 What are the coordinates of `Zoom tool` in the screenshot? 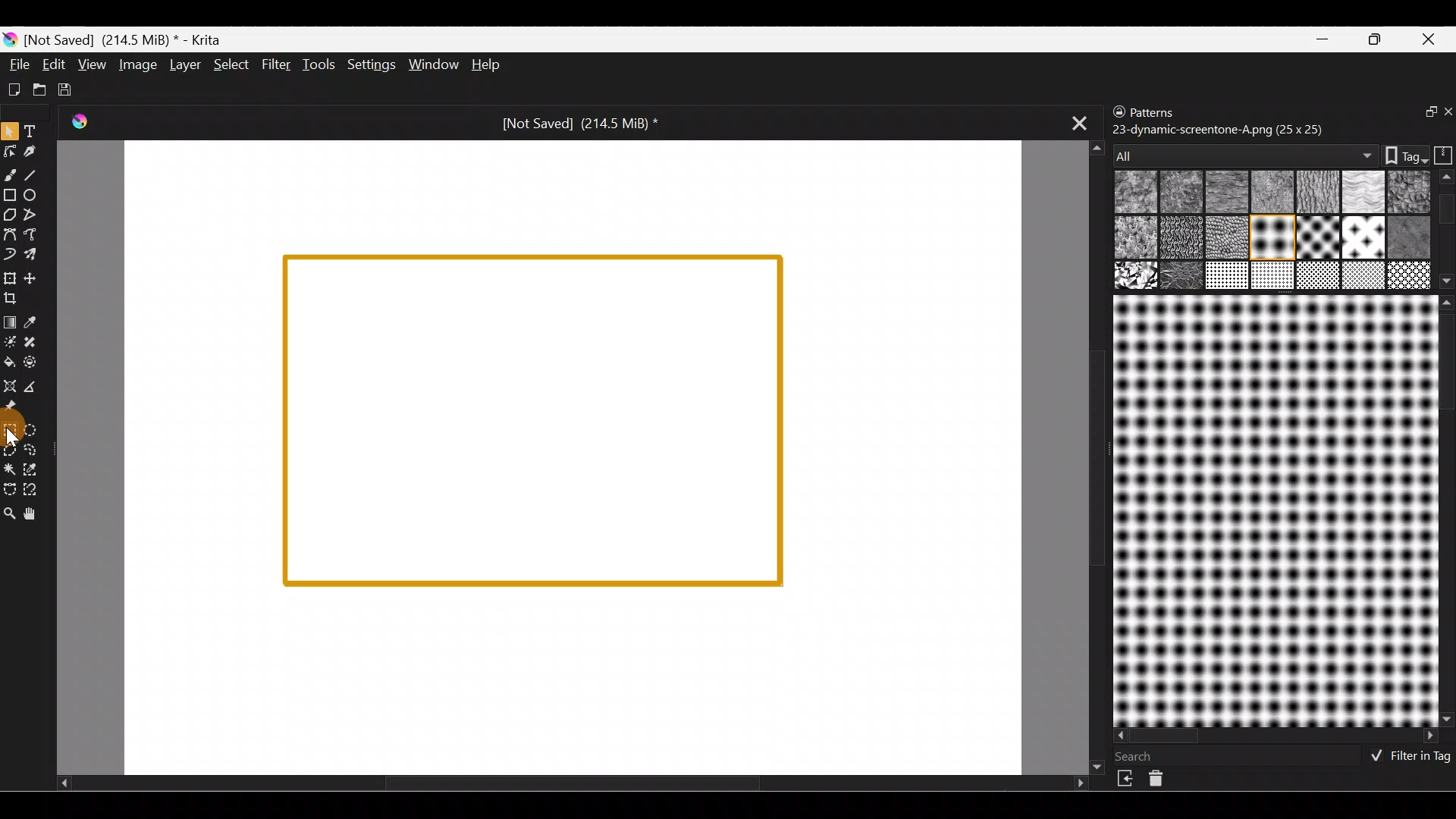 It's located at (10, 515).